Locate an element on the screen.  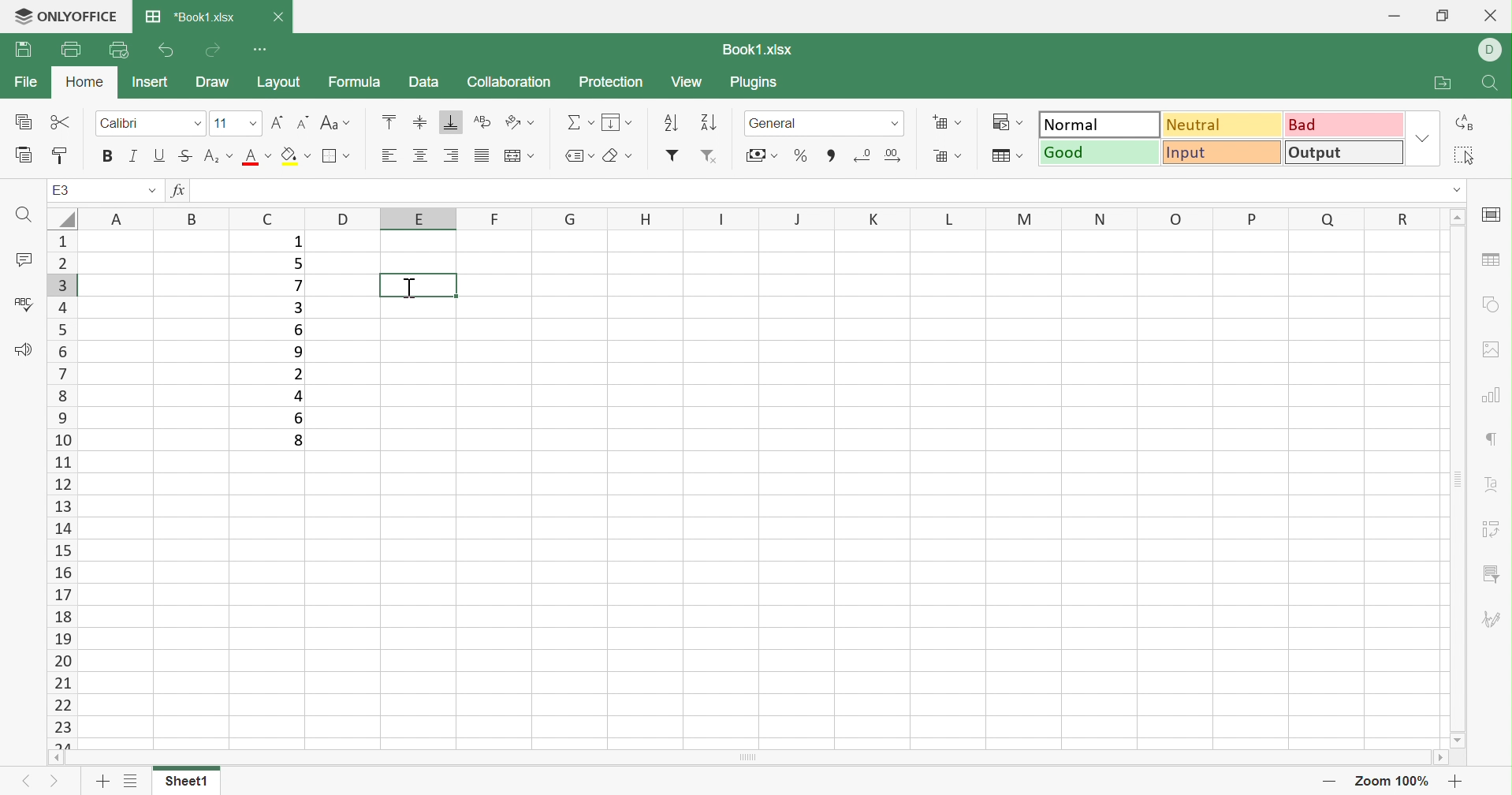
Pivot Table settings is located at coordinates (1492, 528).